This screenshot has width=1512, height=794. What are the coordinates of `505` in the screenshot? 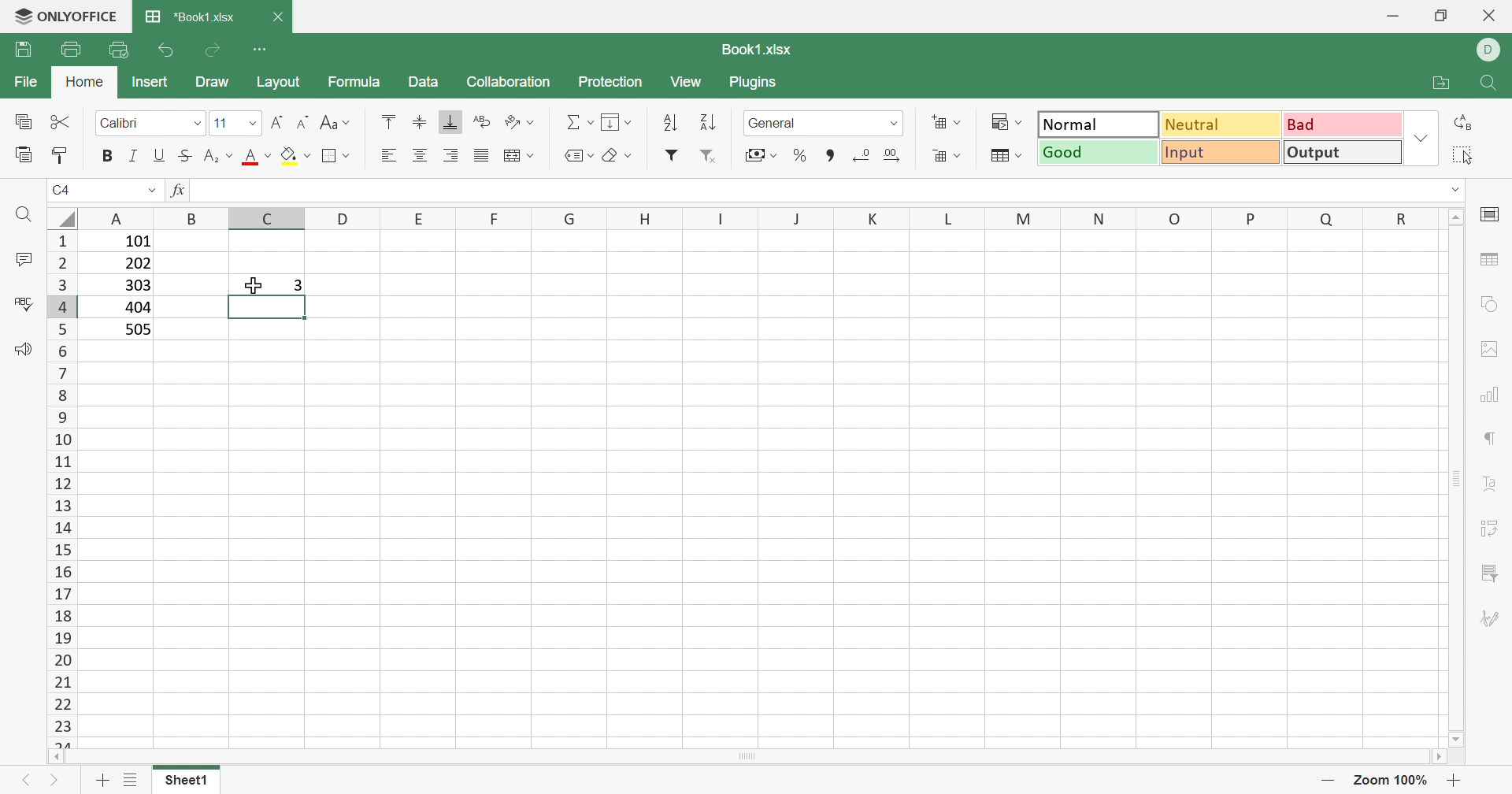 It's located at (139, 329).